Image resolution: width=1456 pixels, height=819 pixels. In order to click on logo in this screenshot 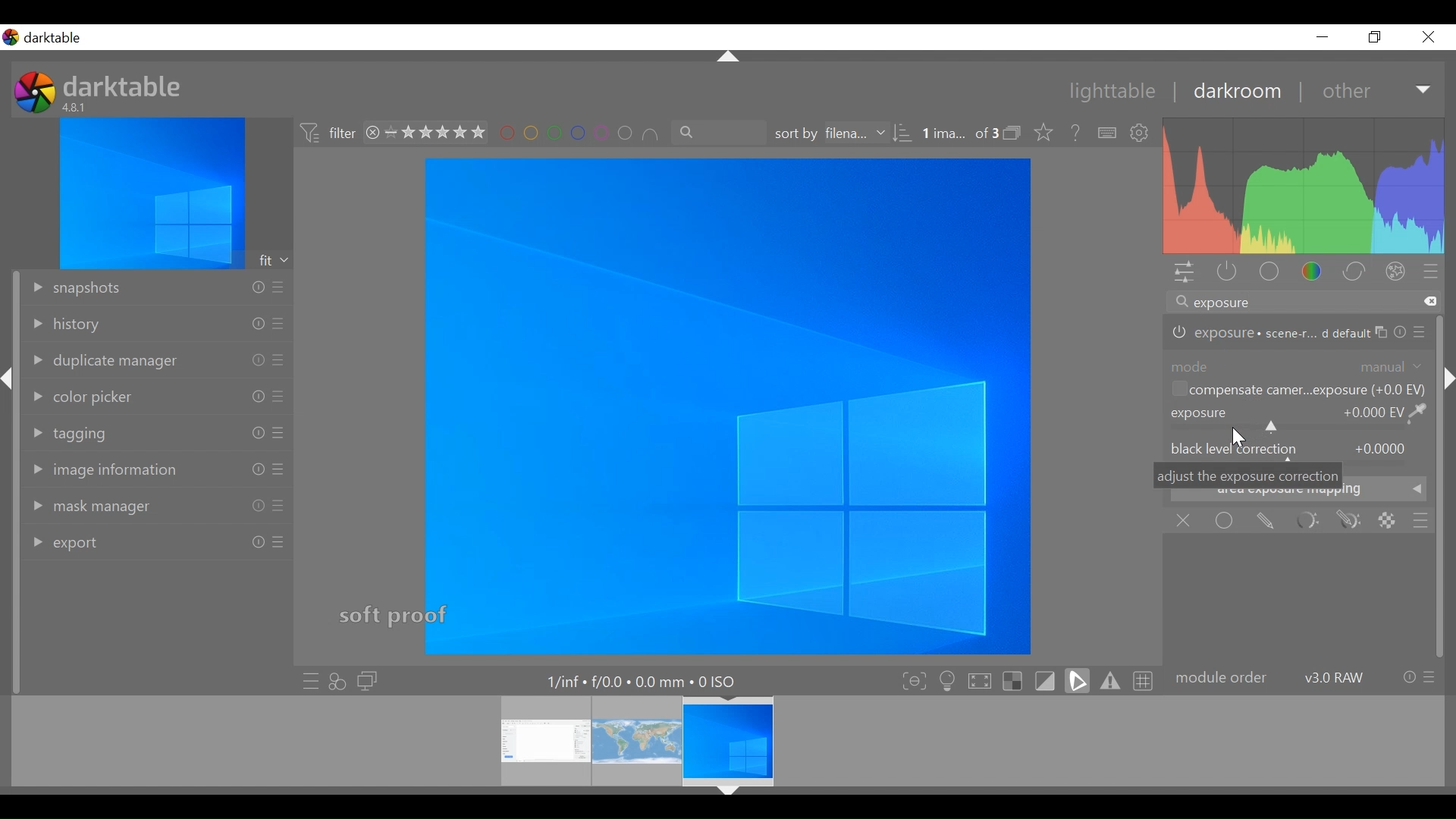, I will do `click(11, 37)`.